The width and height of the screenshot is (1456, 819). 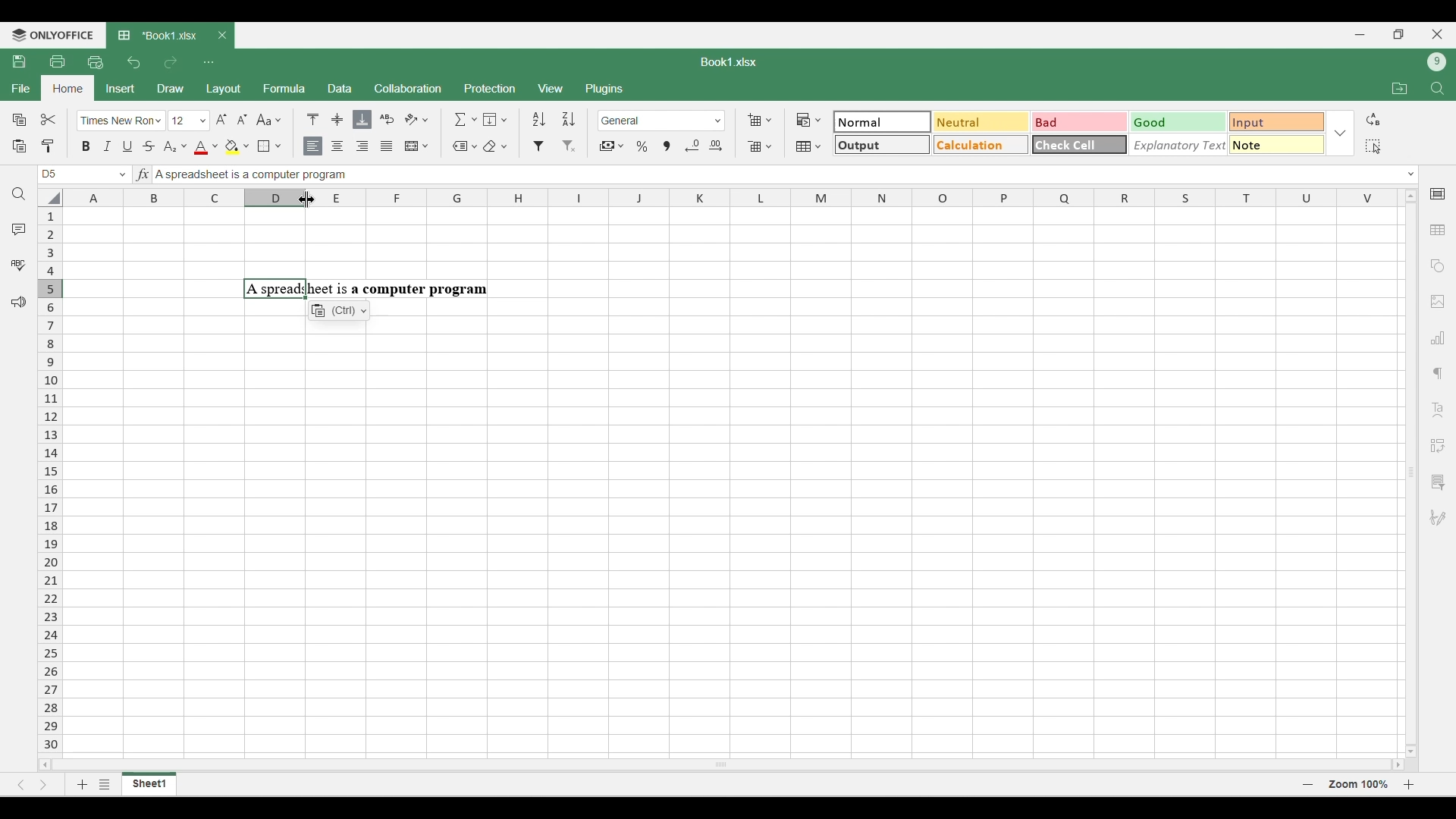 I want to click on Decrease decimal, so click(x=692, y=146).